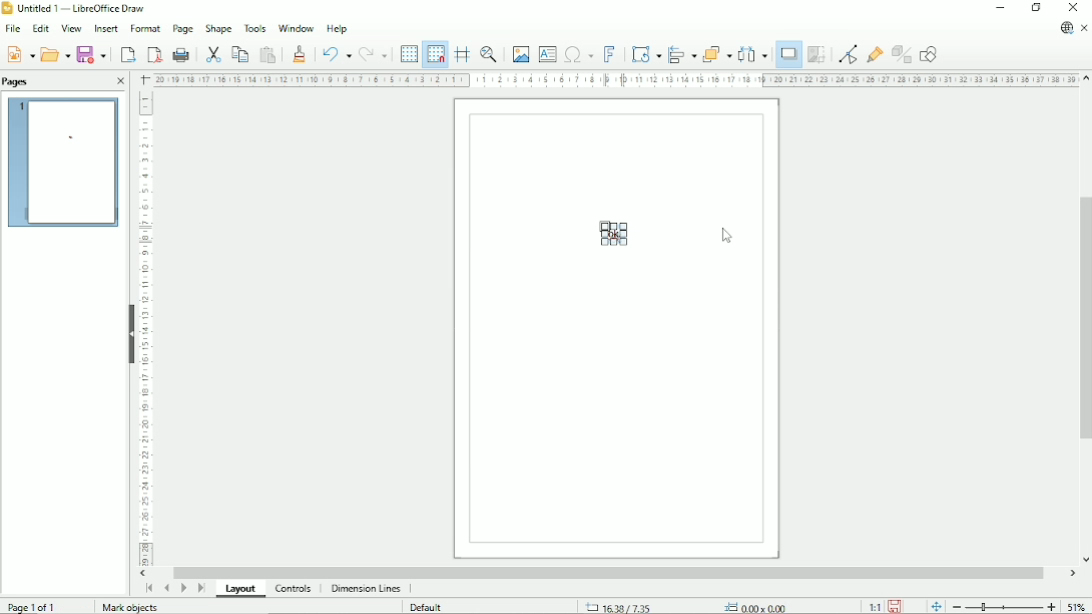  Describe the element at coordinates (1085, 27) in the screenshot. I see `Close document` at that location.